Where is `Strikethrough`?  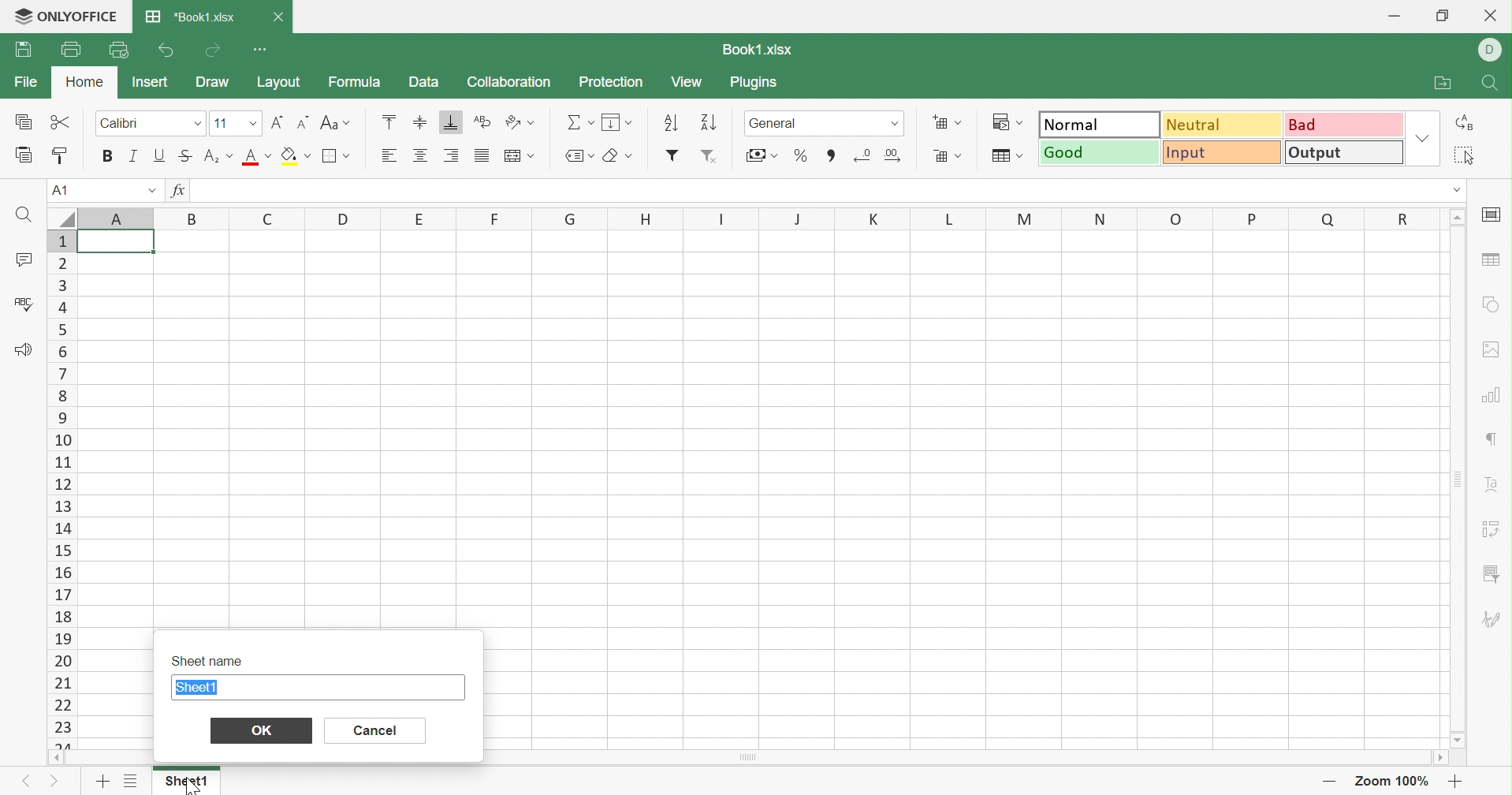 Strikethrough is located at coordinates (184, 155).